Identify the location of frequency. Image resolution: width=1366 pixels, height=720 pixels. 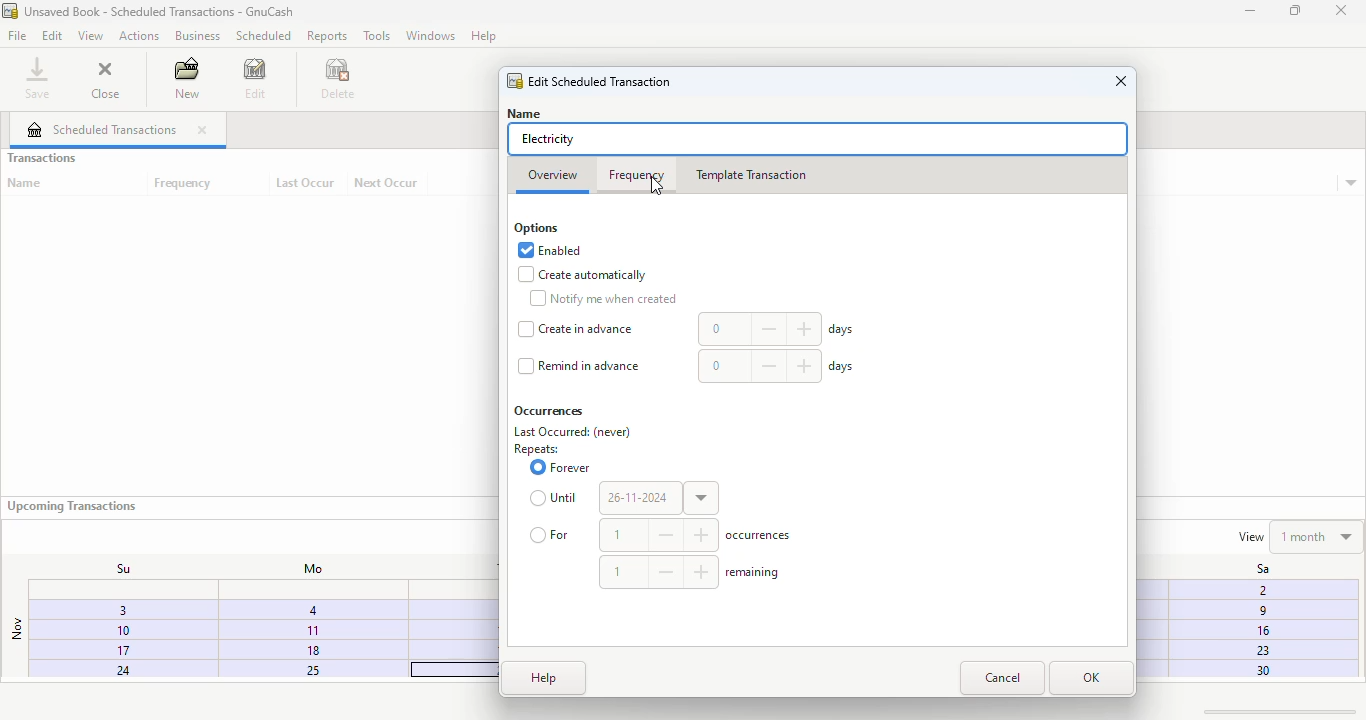
(635, 174).